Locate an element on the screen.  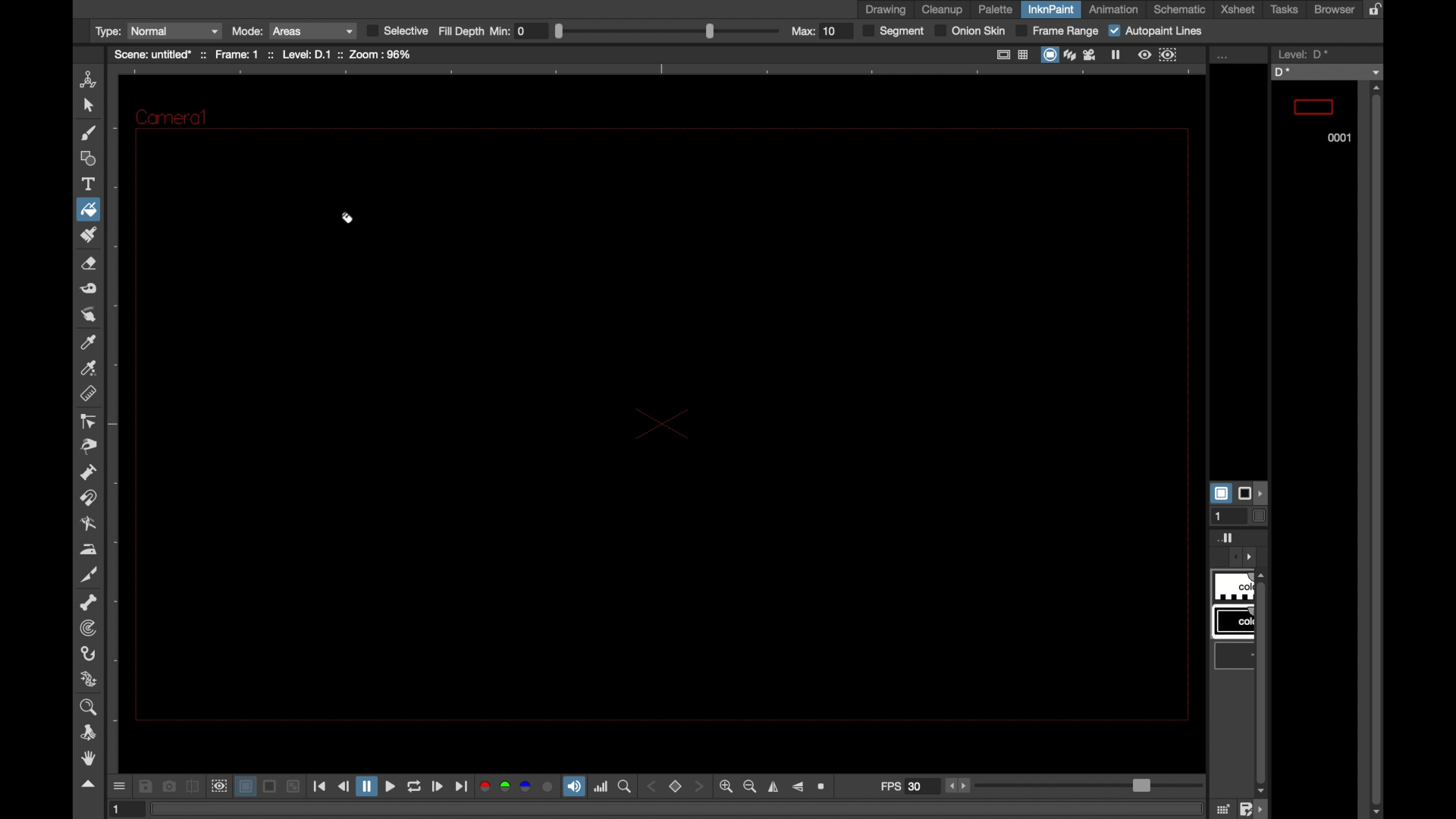
hand tool is located at coordinates (89, 759).